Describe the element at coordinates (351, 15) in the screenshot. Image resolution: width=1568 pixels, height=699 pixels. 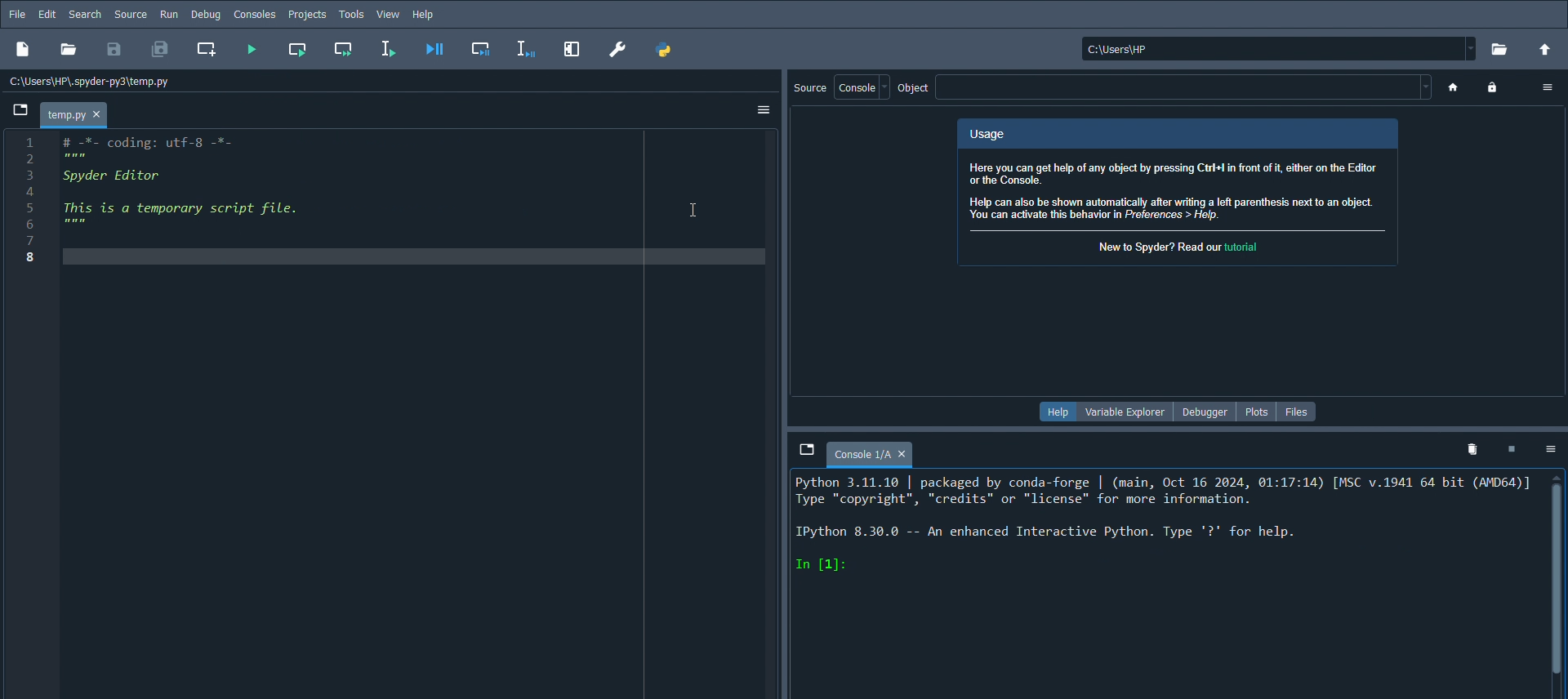
I see `Tools` at that location.